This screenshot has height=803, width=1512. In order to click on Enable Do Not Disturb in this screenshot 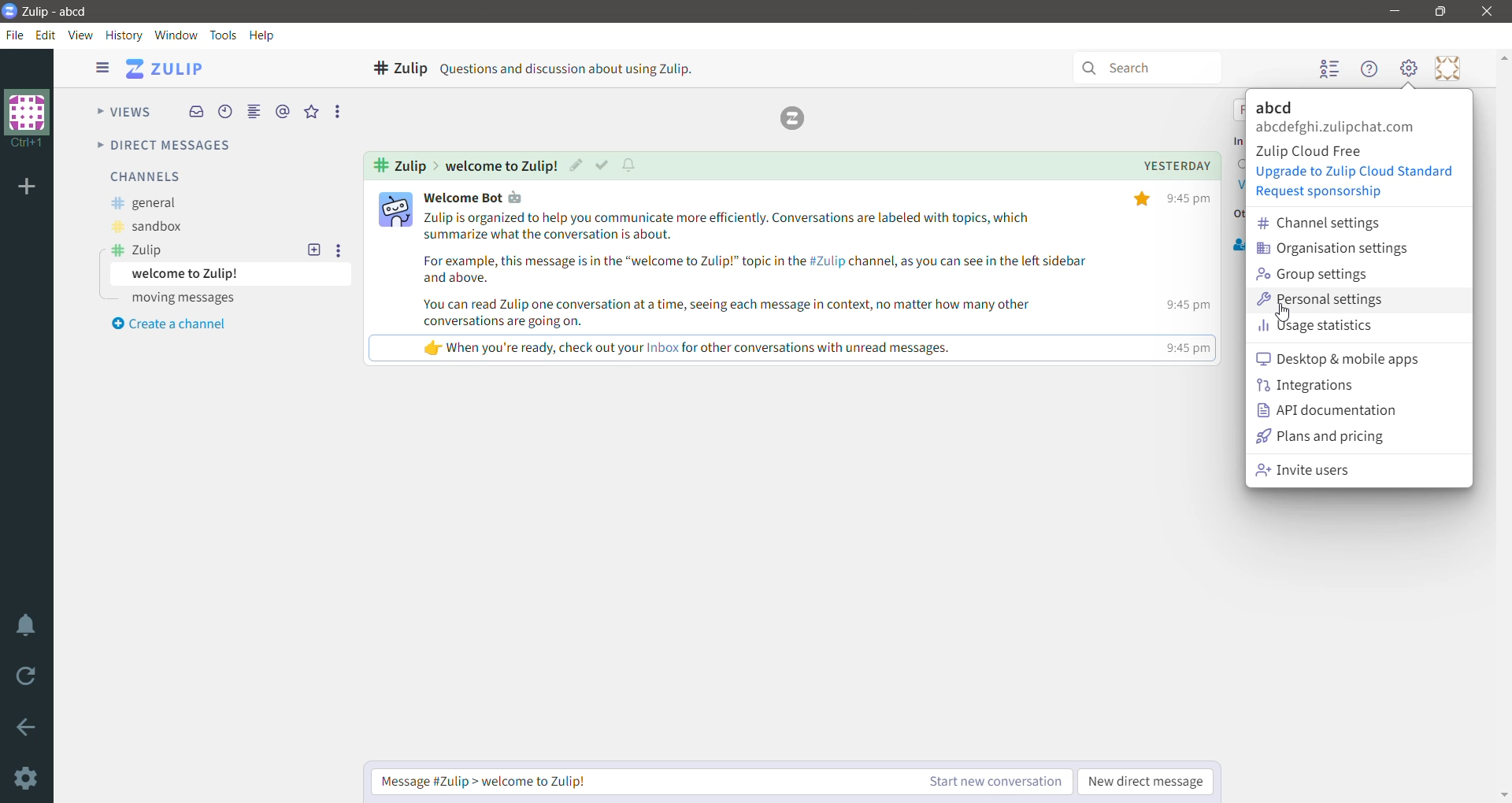, I will do `click(28, 627)`.